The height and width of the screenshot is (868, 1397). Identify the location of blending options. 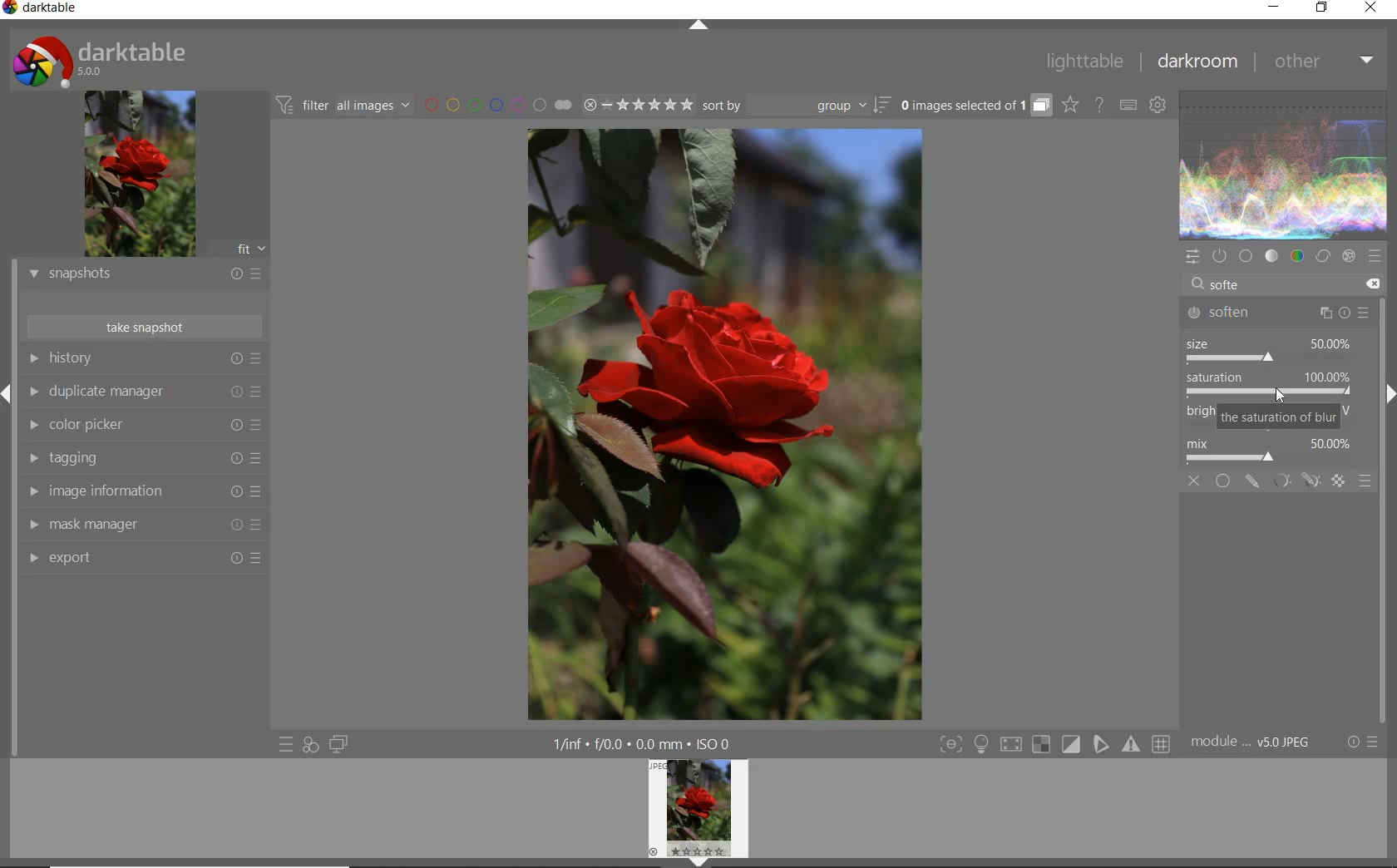
(1365, 484).